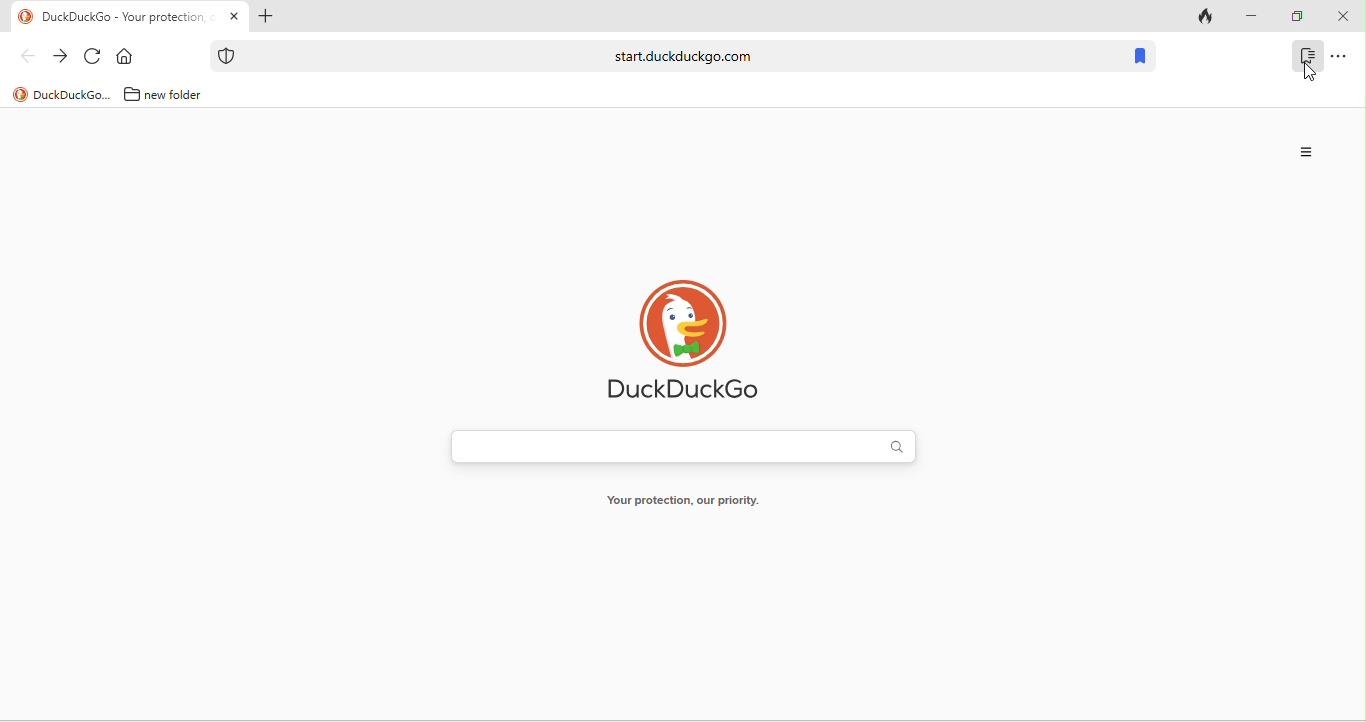 This screenshot has width=1366, height=722. Describe the element at coordinates (93, 57) in the screenshot. I see `reload` at that location.